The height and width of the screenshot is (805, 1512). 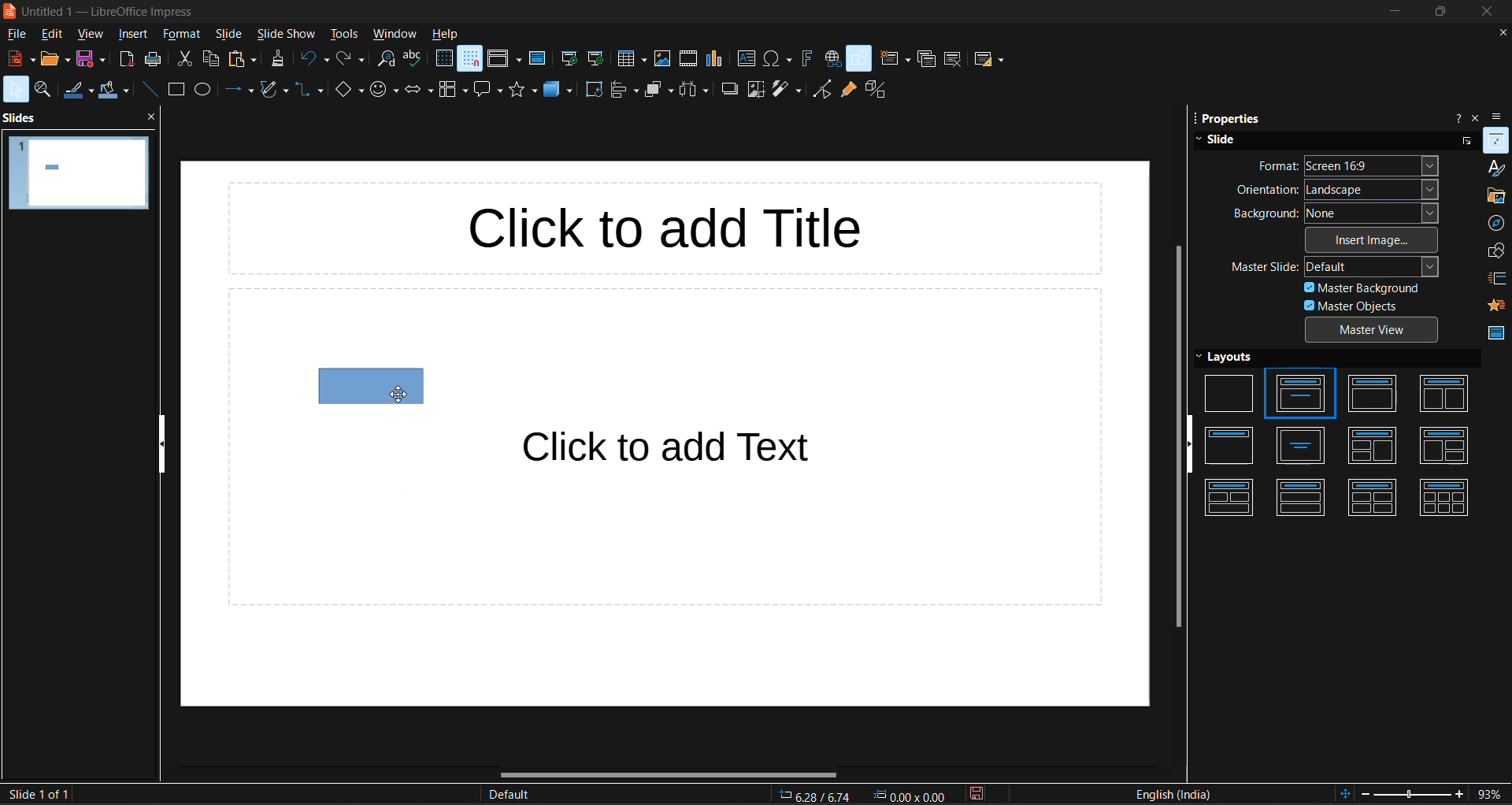 What do you see at coordinates (692, 89) in the screenshot?
I see `distribute` at bounding box center [692, 89].